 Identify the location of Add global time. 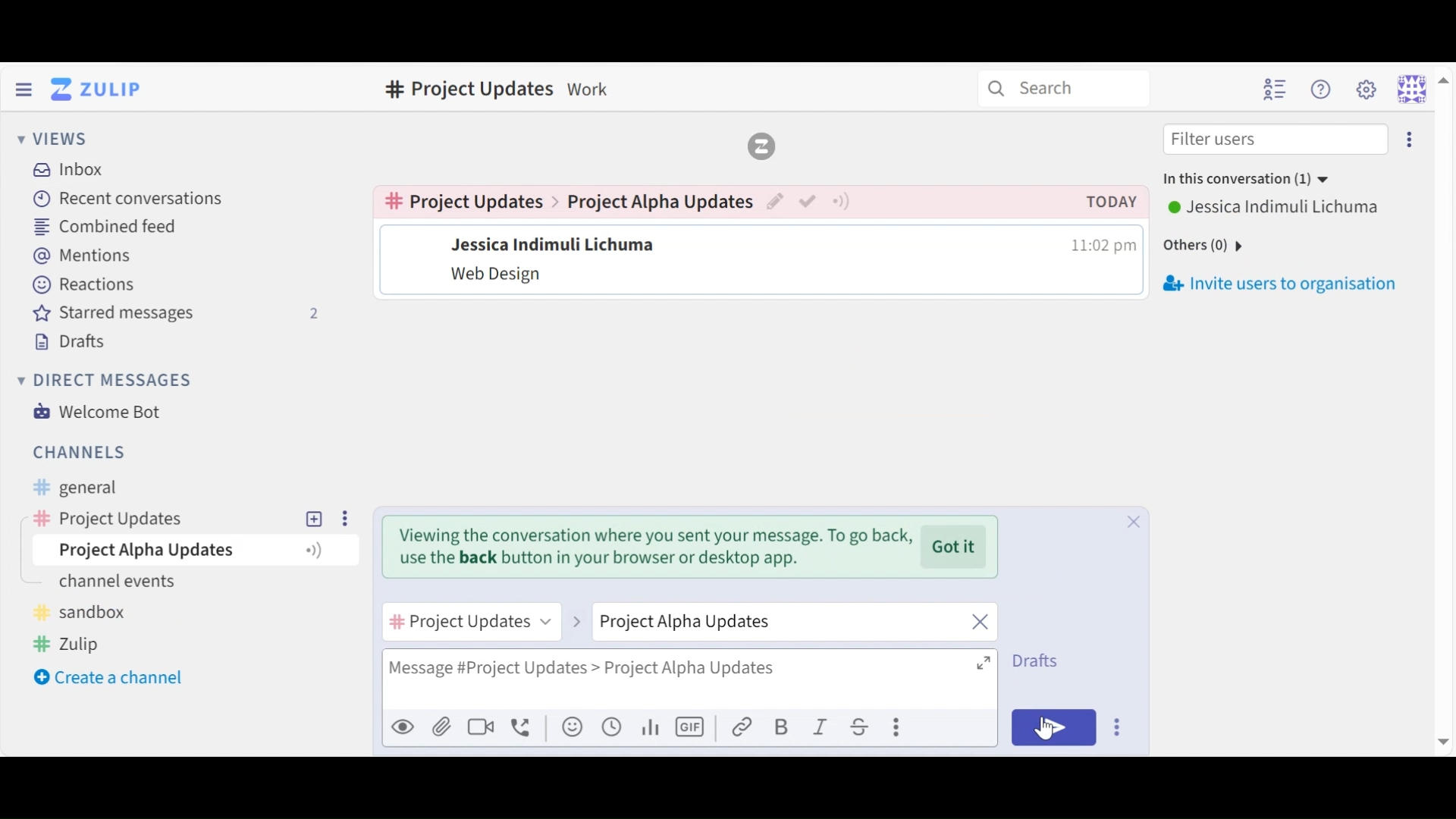
(612, 726).